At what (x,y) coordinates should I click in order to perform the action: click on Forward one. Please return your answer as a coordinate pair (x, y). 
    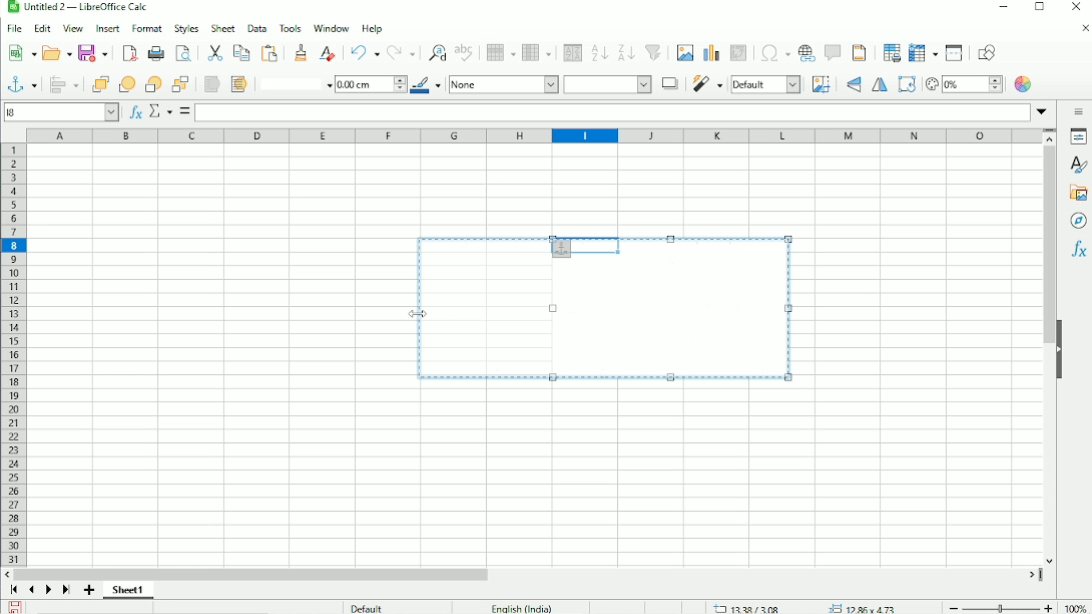
    Looking at the image, I should click on (127, 84).